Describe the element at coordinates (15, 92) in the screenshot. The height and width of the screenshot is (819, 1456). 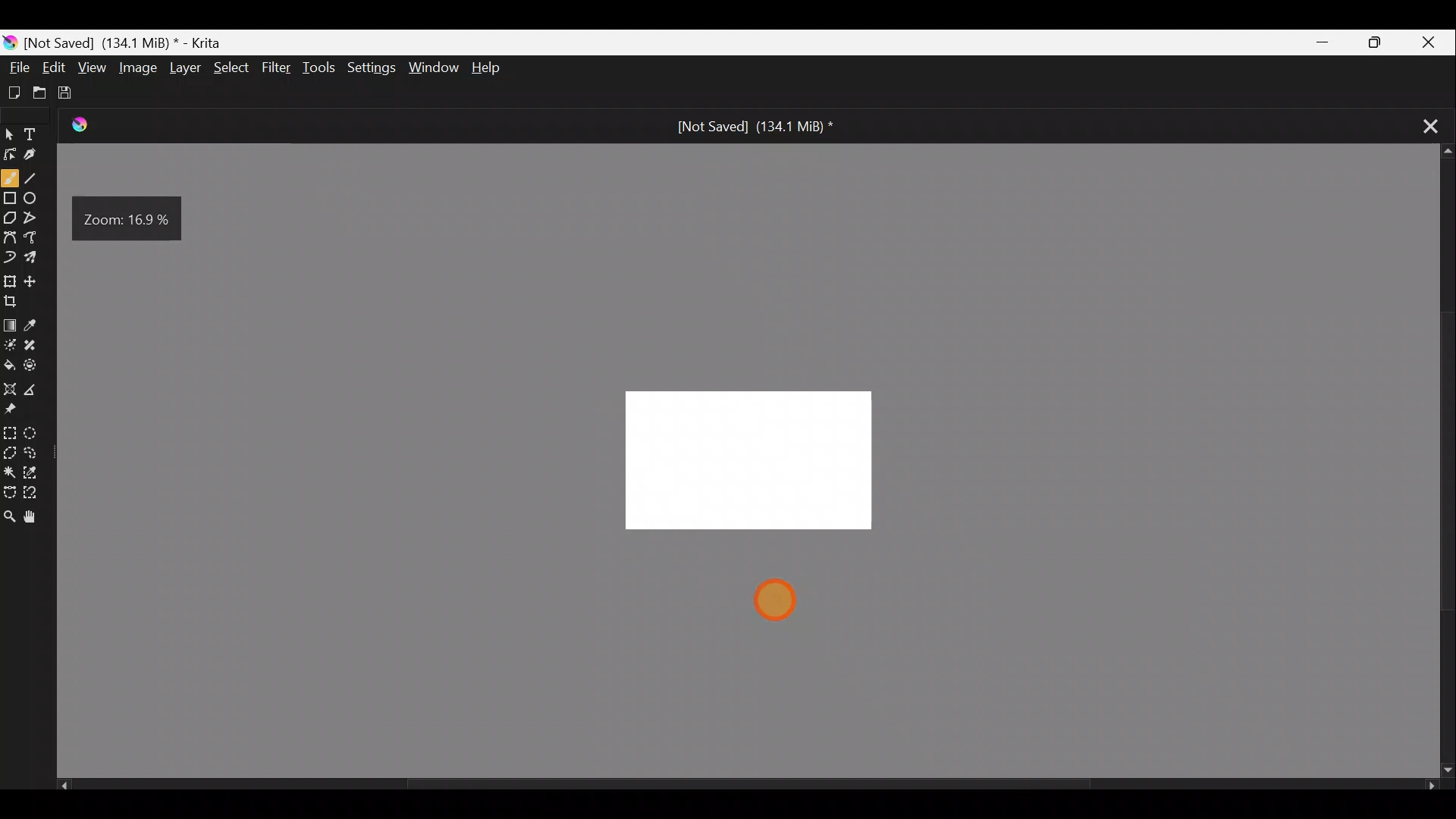
I see `Create a new document` at that location.